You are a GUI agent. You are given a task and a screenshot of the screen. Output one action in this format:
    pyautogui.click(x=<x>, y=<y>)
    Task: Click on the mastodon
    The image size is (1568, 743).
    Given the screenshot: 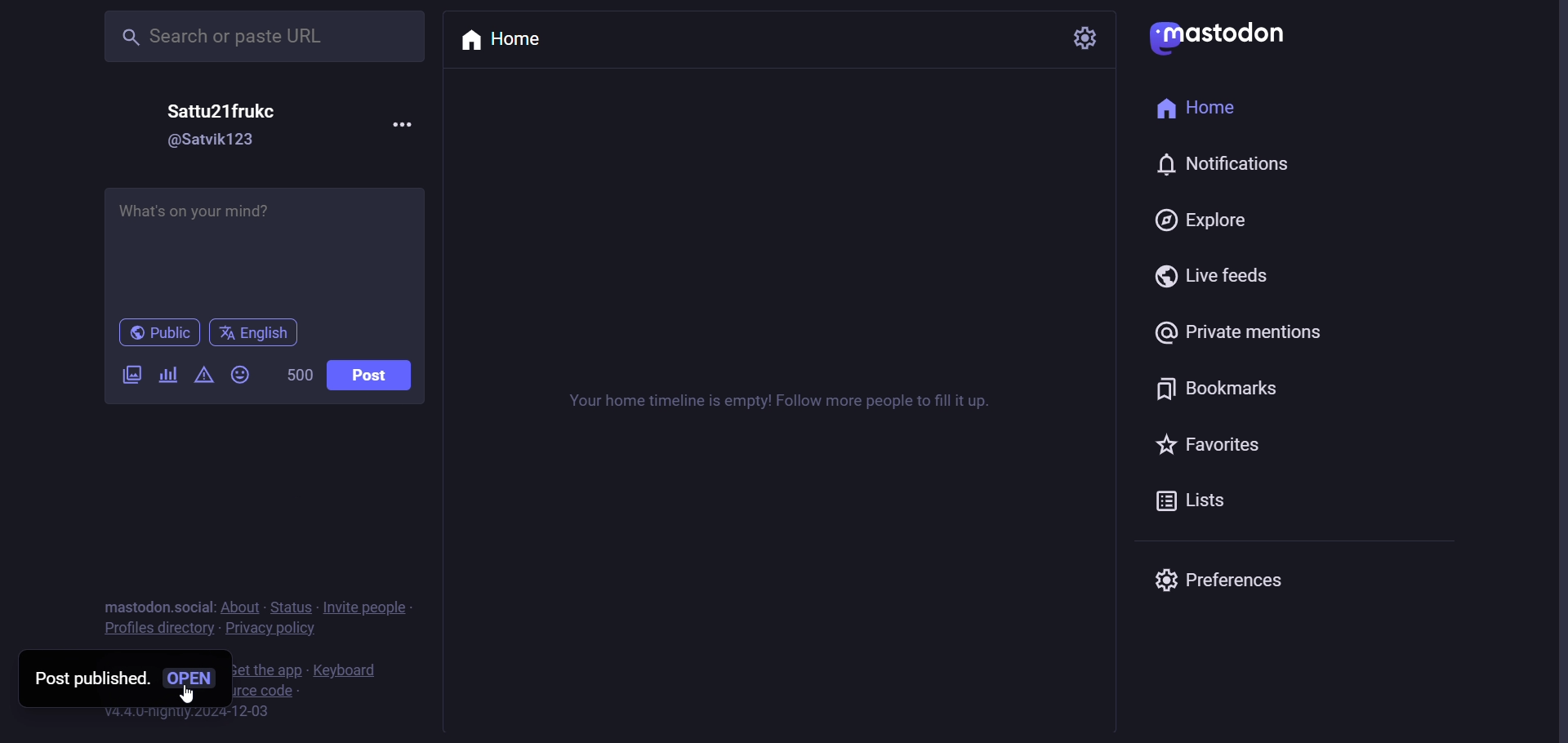 What is the action you would take?
    pyautogui.click(x=134, y=605)
    